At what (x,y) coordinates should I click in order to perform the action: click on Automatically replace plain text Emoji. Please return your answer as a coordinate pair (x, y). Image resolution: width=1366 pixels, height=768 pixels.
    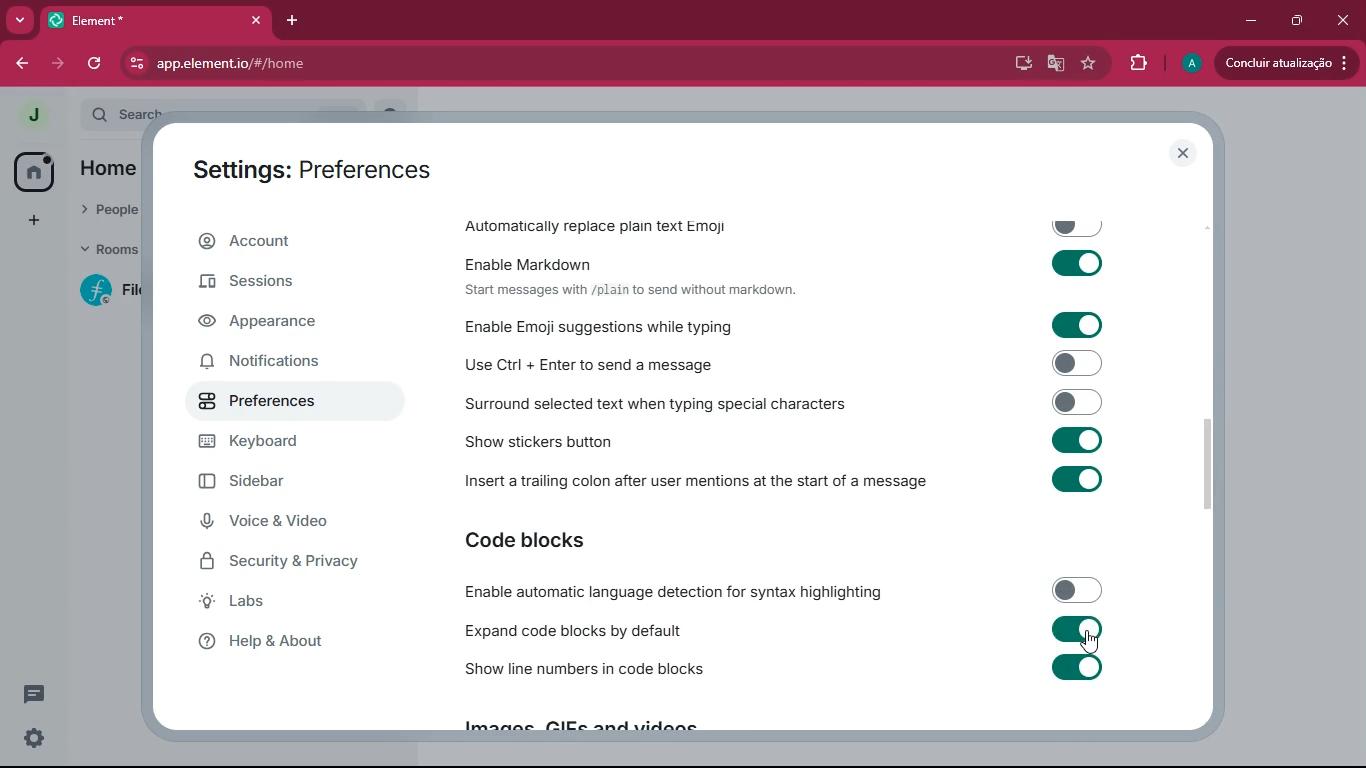
    Looking at the image, I should click on (786, 222).